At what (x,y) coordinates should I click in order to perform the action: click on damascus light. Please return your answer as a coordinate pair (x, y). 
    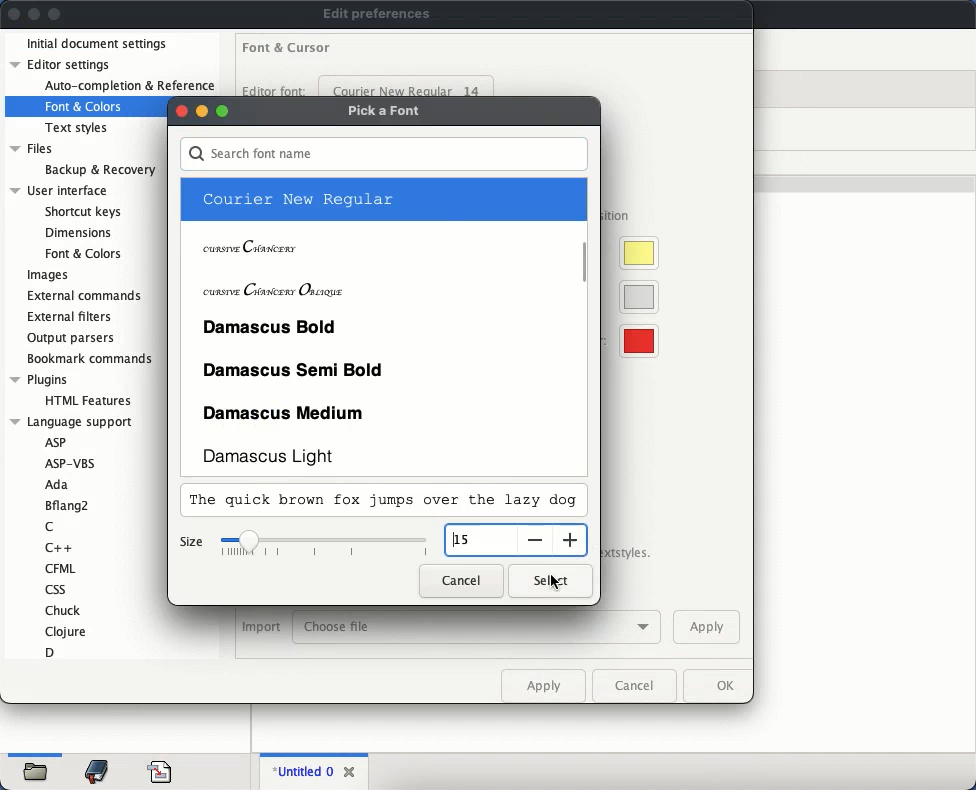
    Looking at the image, I should click on (383, 455).